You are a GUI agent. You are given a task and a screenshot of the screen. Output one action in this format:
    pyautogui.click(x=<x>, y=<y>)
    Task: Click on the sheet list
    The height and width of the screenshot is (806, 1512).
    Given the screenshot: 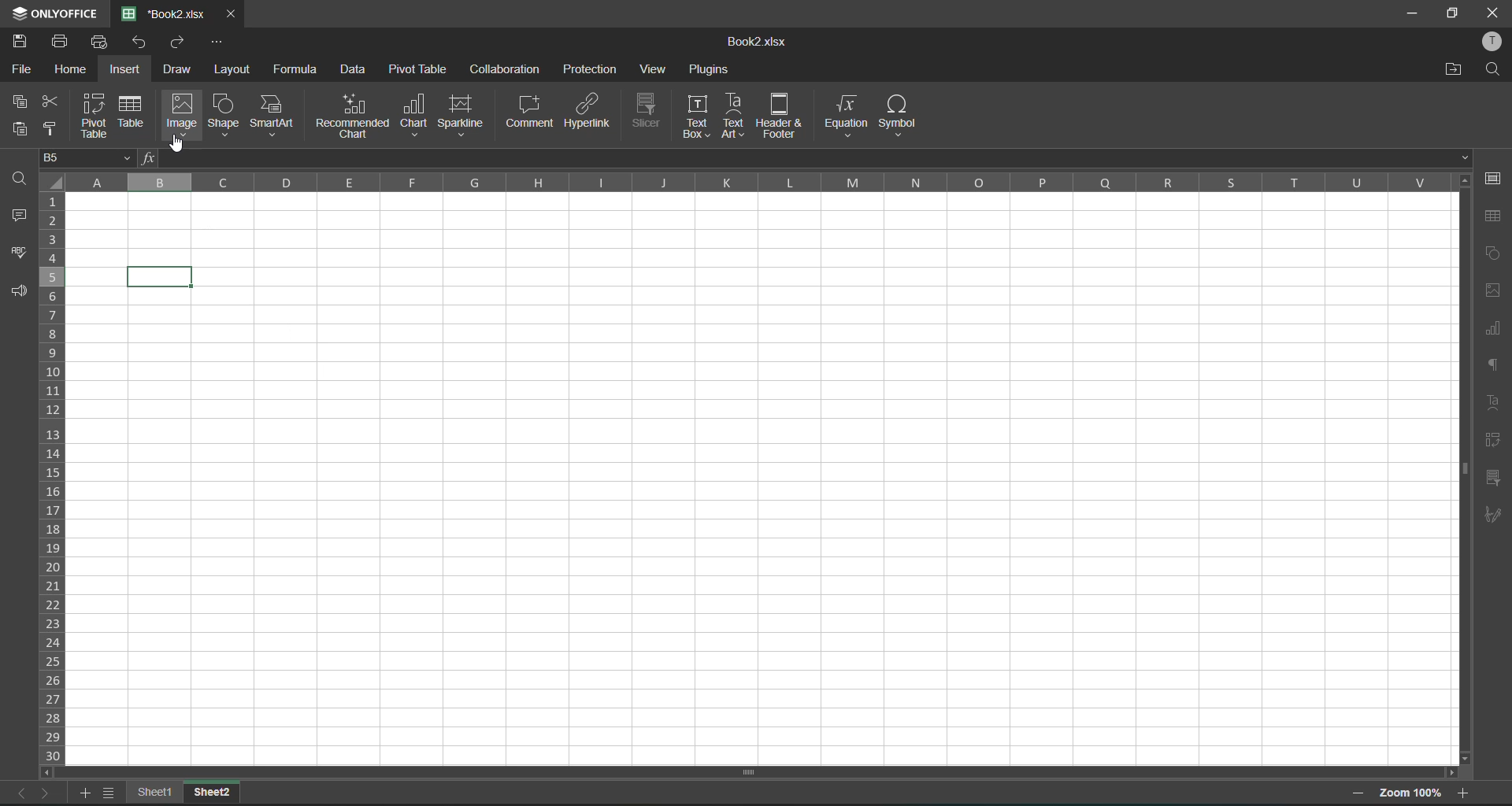 What is the action you would take?
    pyautogui.click(x=113, y=793)
    